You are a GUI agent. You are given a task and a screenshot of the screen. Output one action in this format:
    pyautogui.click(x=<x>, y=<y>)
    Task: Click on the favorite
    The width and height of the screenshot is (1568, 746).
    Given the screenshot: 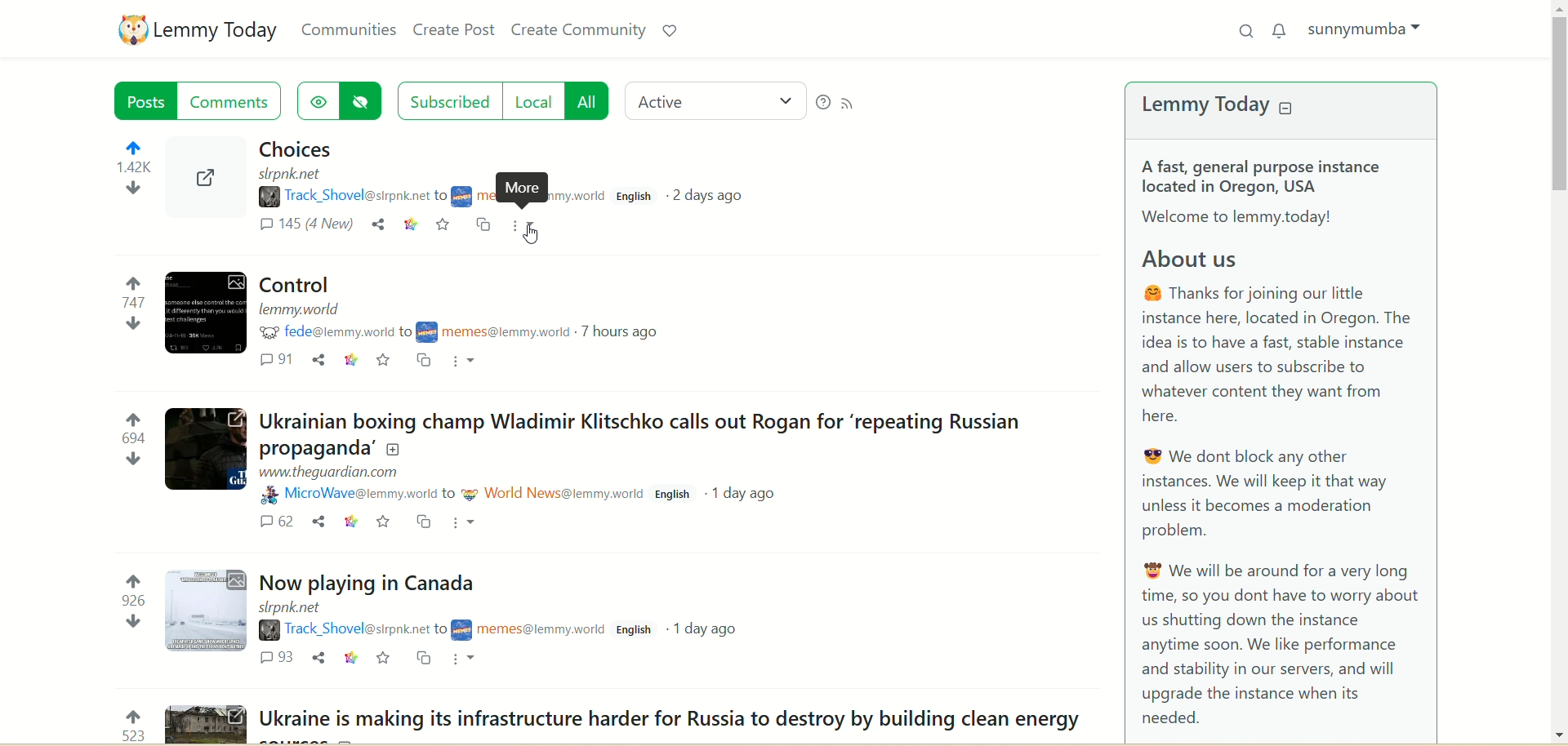 What is the action you would take?
    pyautogui.click(x=384, y=522)
    